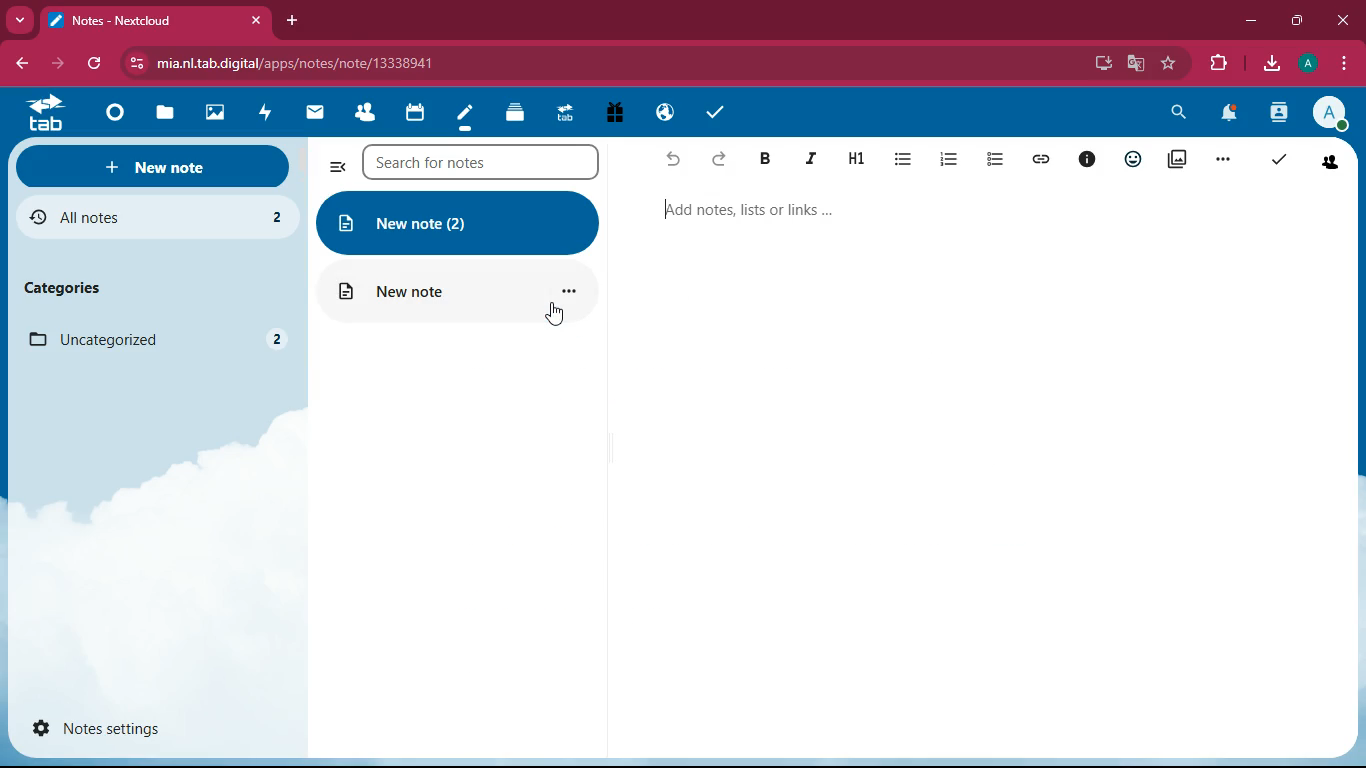  I want to click on files, so click(166, 113).